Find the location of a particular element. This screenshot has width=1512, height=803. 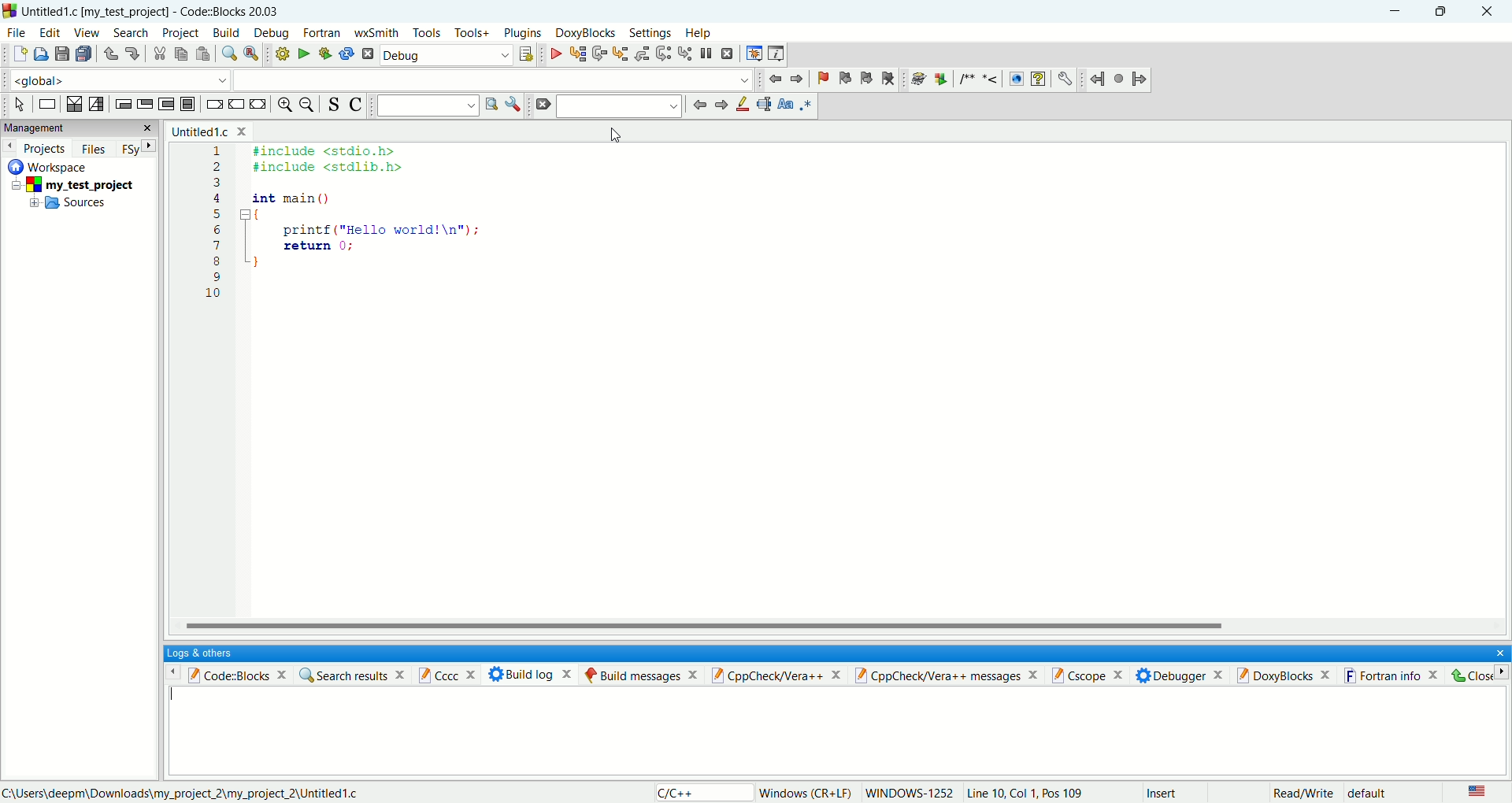

toggle comment is located at coordinates (354, 105).